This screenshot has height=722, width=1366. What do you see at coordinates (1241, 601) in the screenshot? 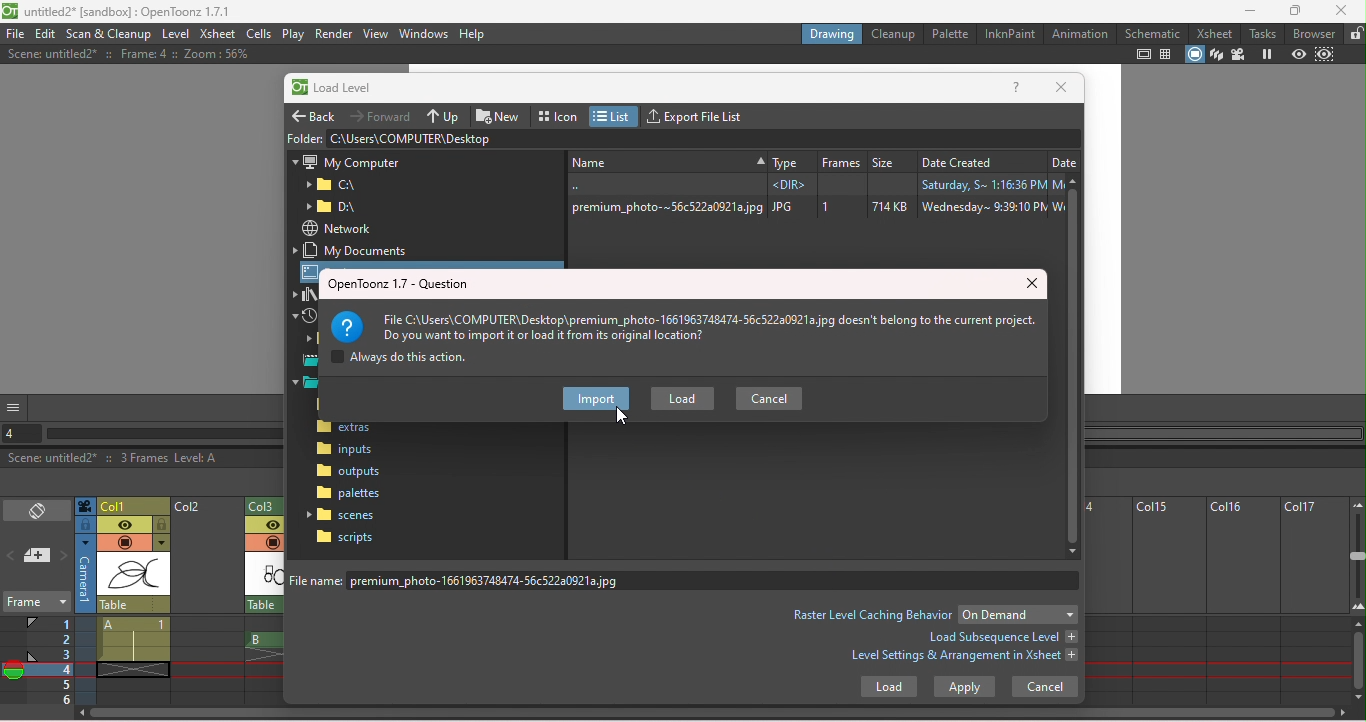
I see `Column 16` at bounding box center [1241, 601].